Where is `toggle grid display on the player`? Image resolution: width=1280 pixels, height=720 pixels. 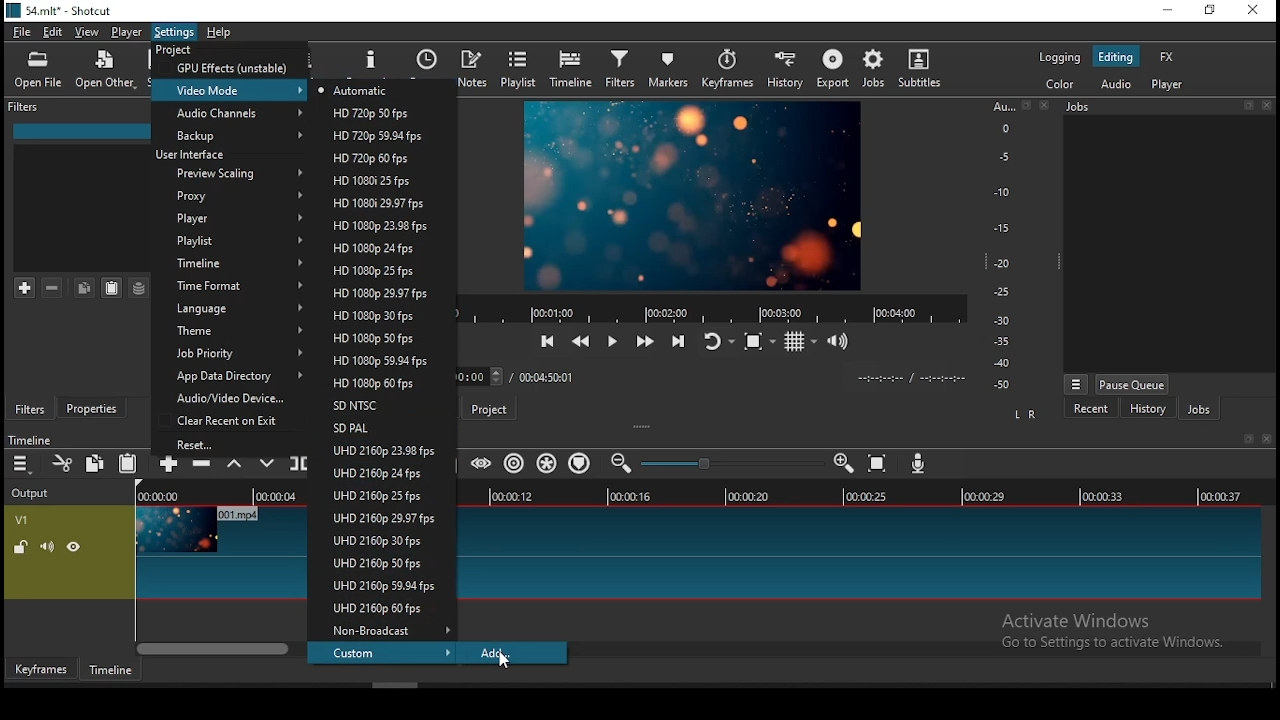
toggle grid display on the player is located at coordinates (801, 339).